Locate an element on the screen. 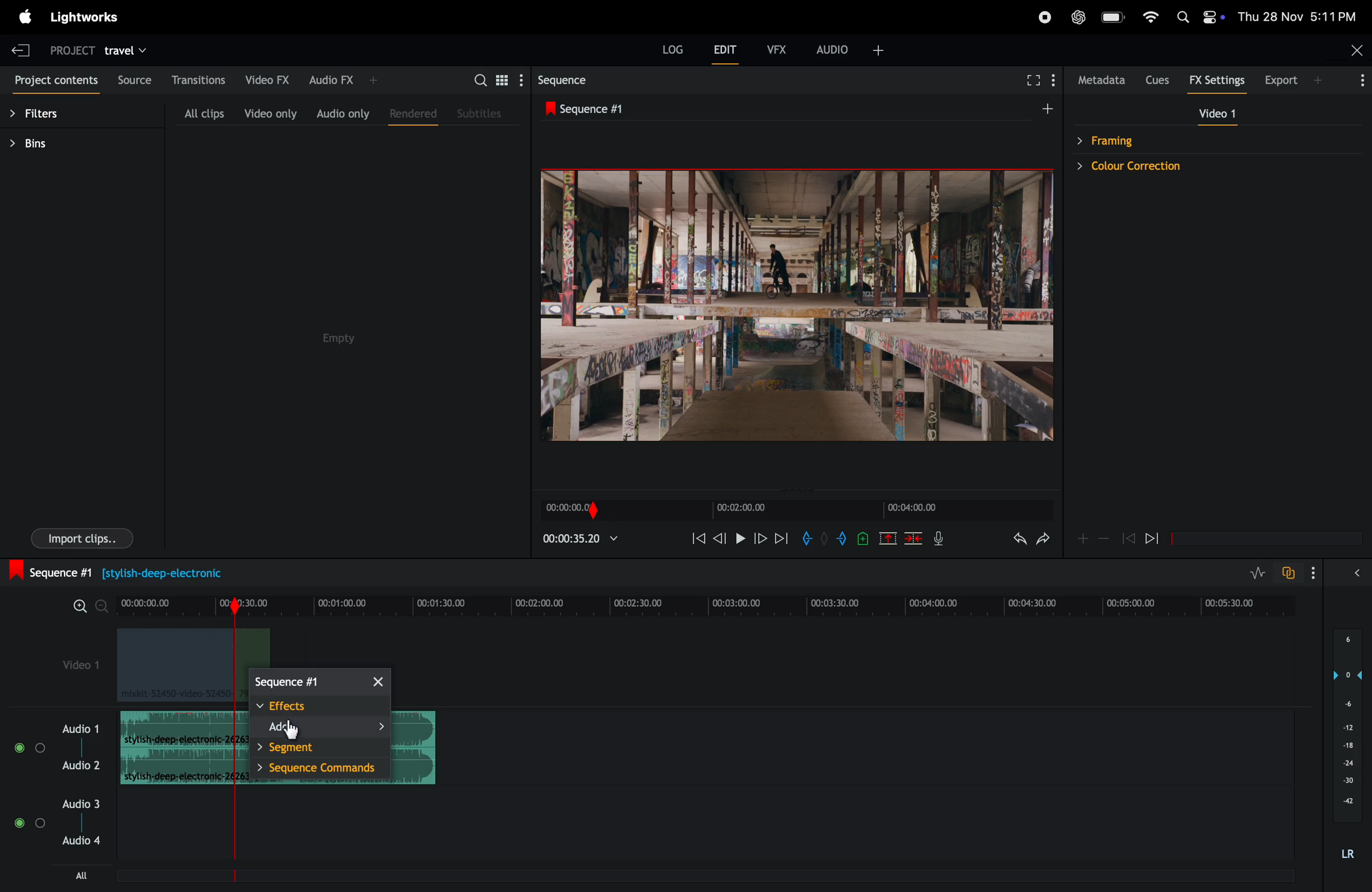 The width and height of the screenshot is (1372, 892). toggle betweeen list view is located at coordinates (503, 80).